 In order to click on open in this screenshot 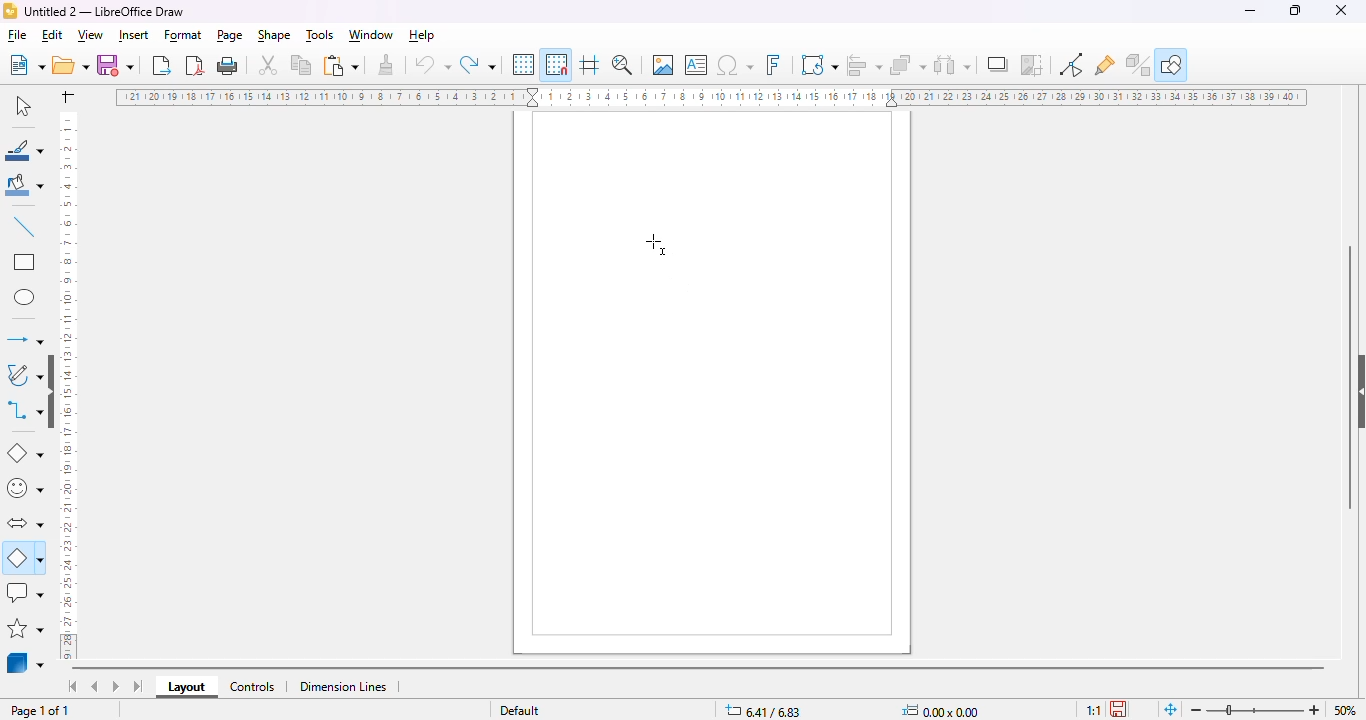, I will do `click(71, 66)`.